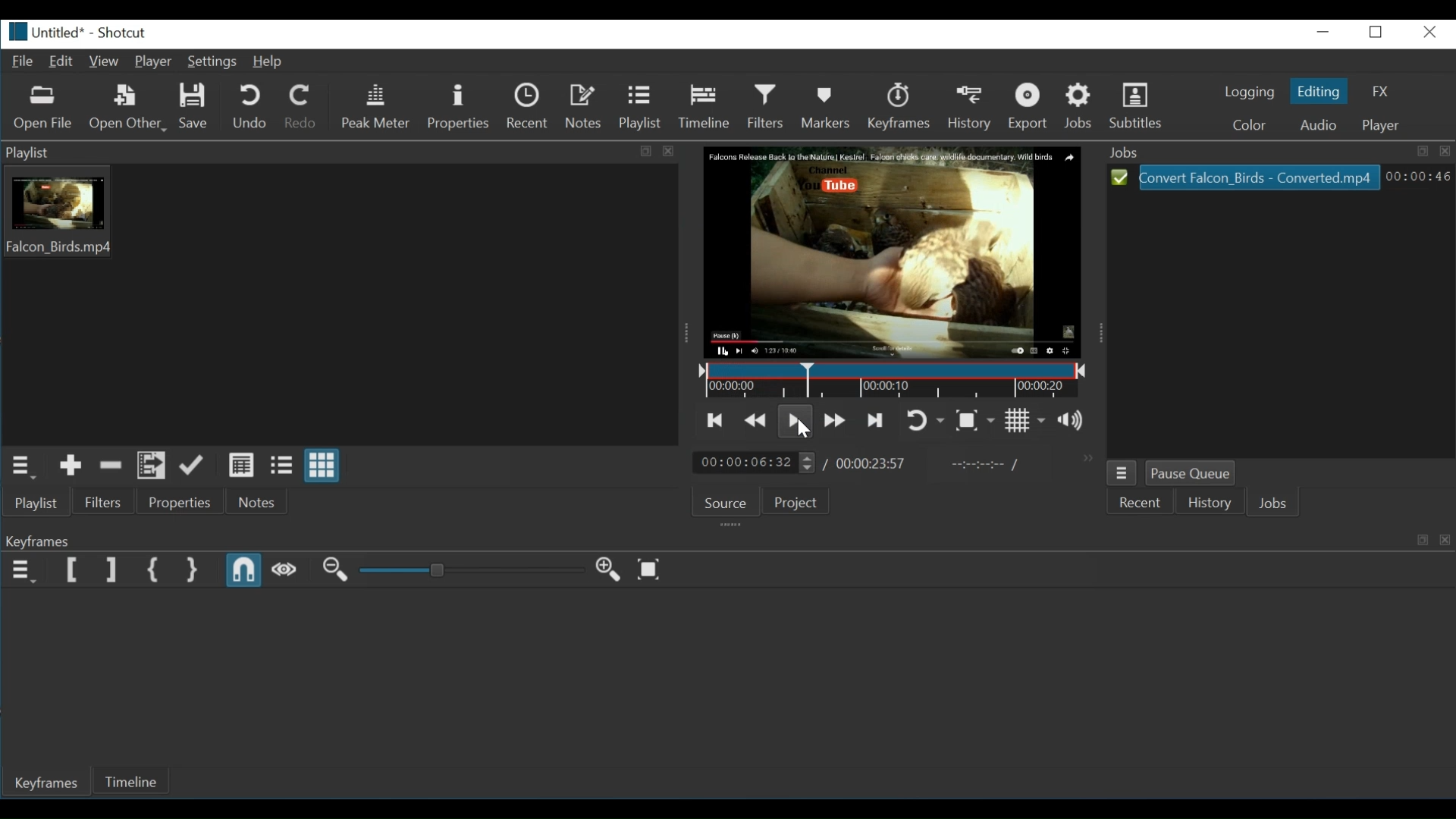 The image size is (1456, 819). Describe the element at coordinates (827, 105) in the screenshot. I see `Markers` at that location.